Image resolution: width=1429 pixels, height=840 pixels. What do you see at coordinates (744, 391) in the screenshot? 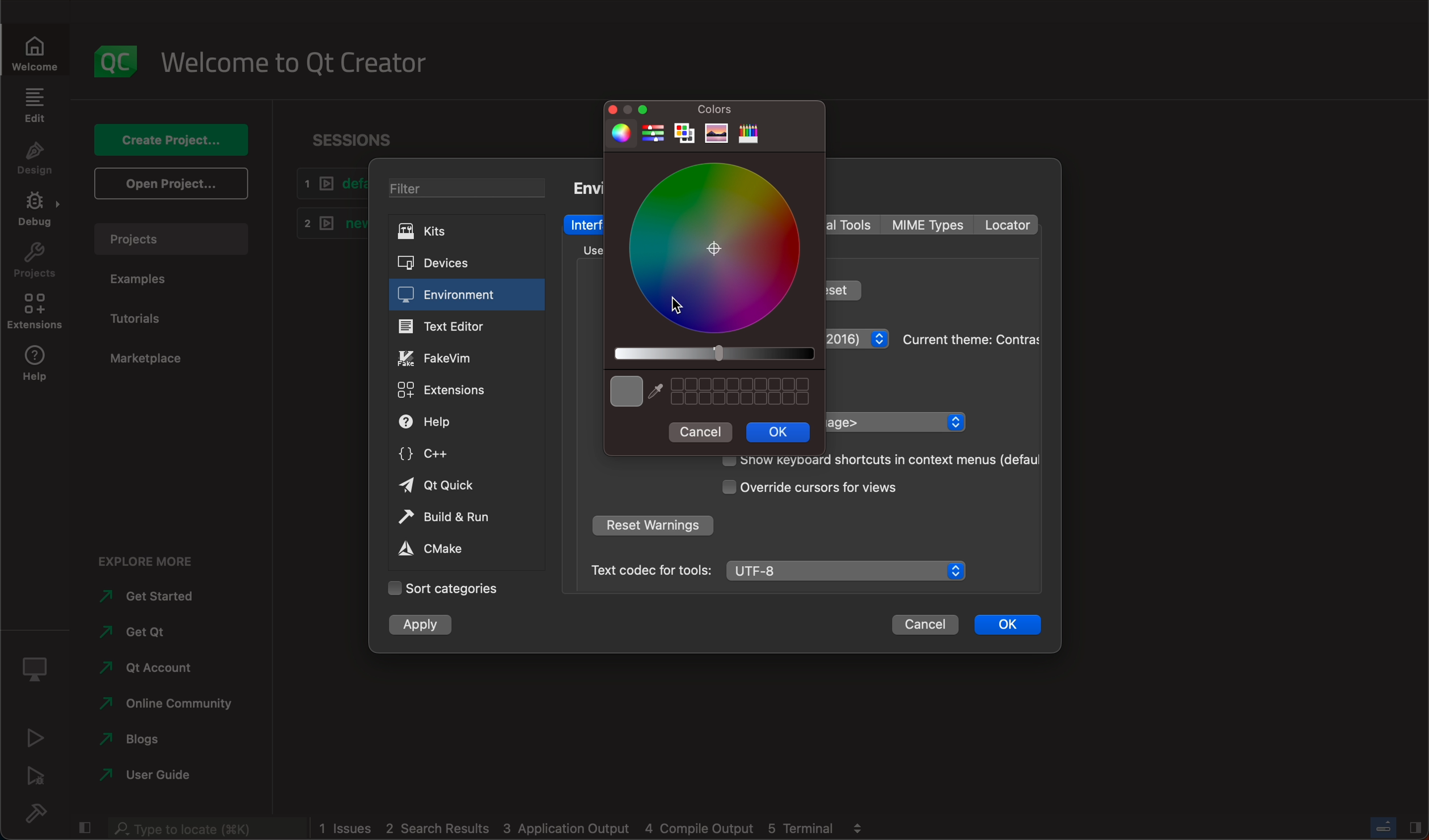
I see `chosen colors` at bounding box center [744, 391].